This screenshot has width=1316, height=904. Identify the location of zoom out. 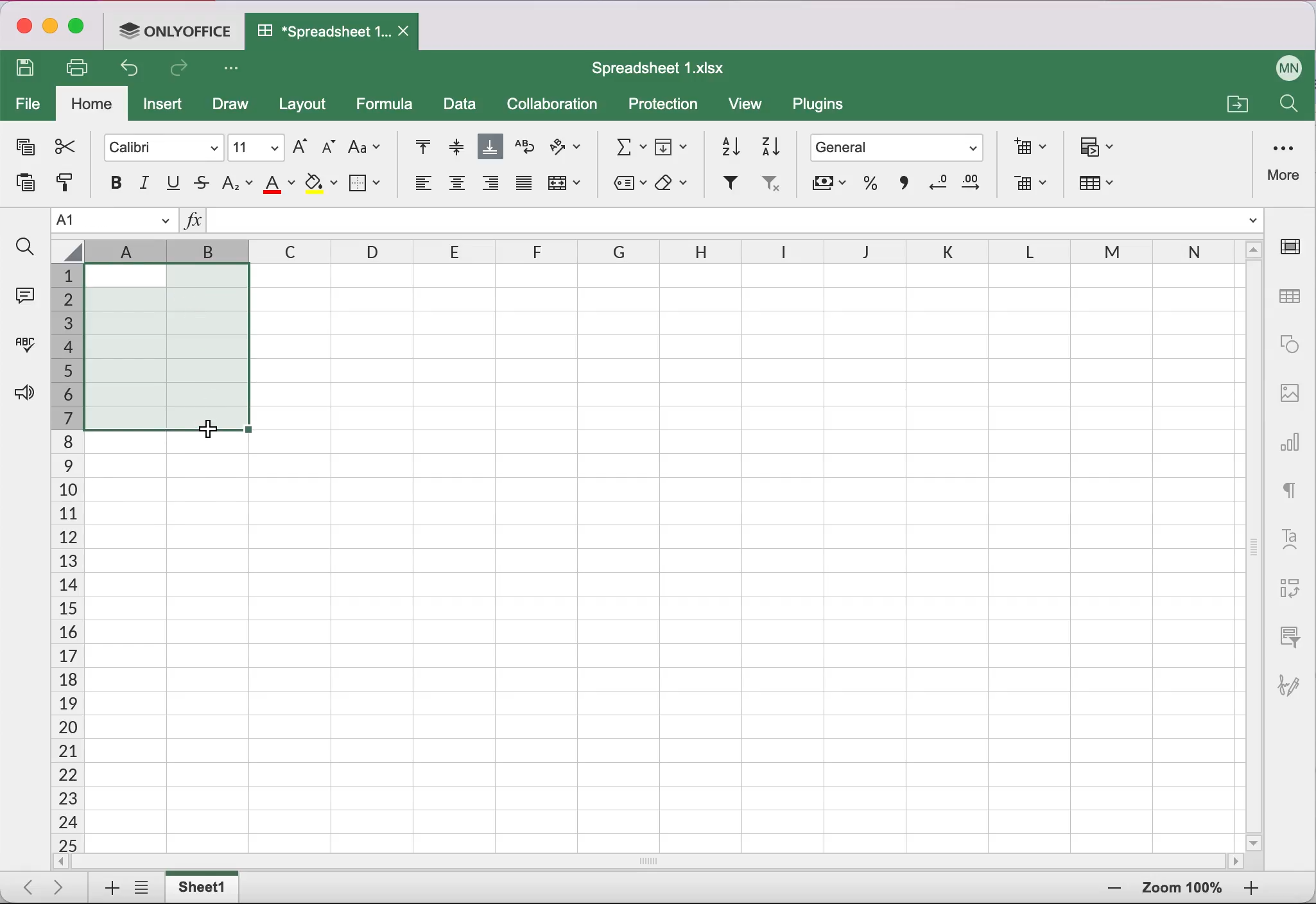
(1251, 889).